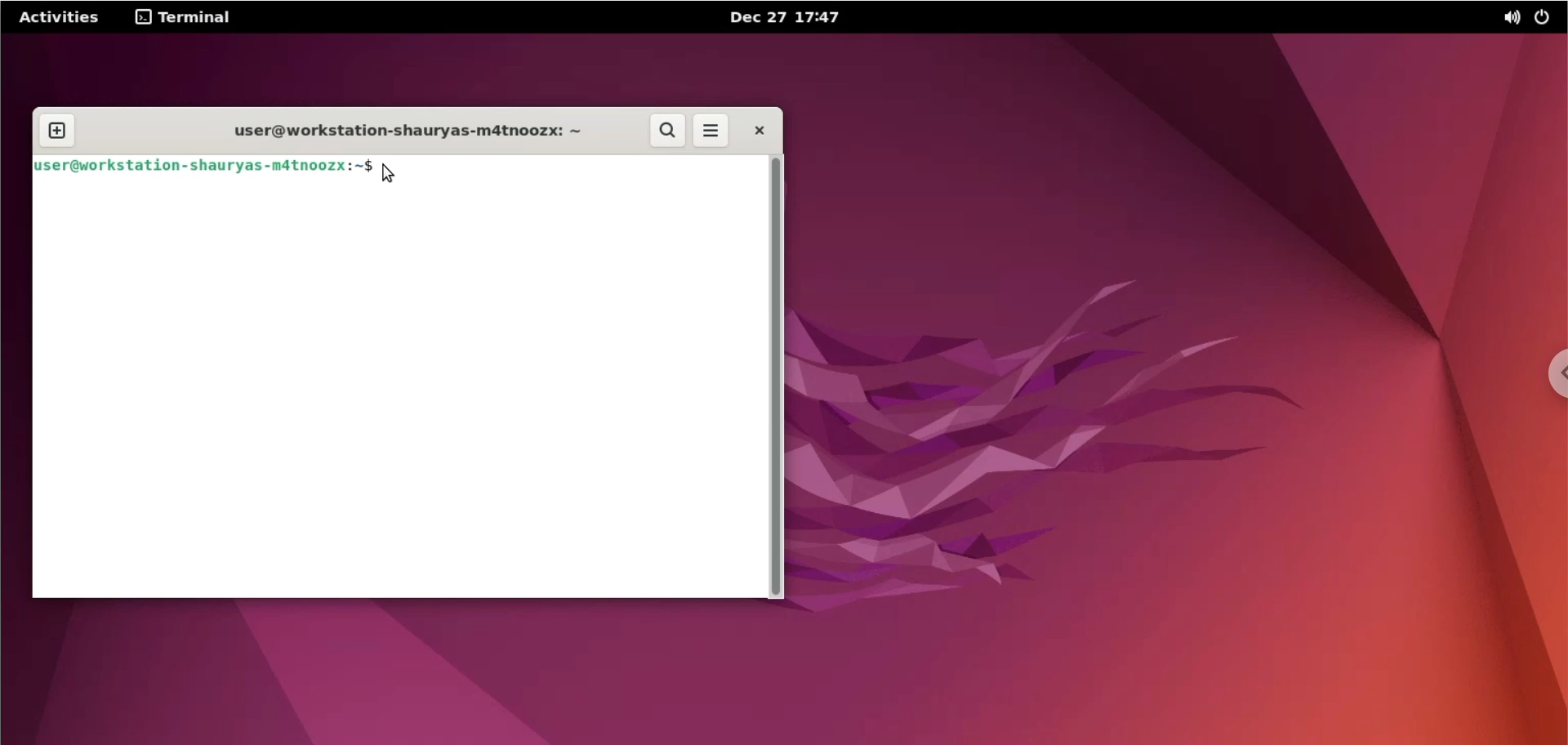  I want to click on more options, so click(714, 131).